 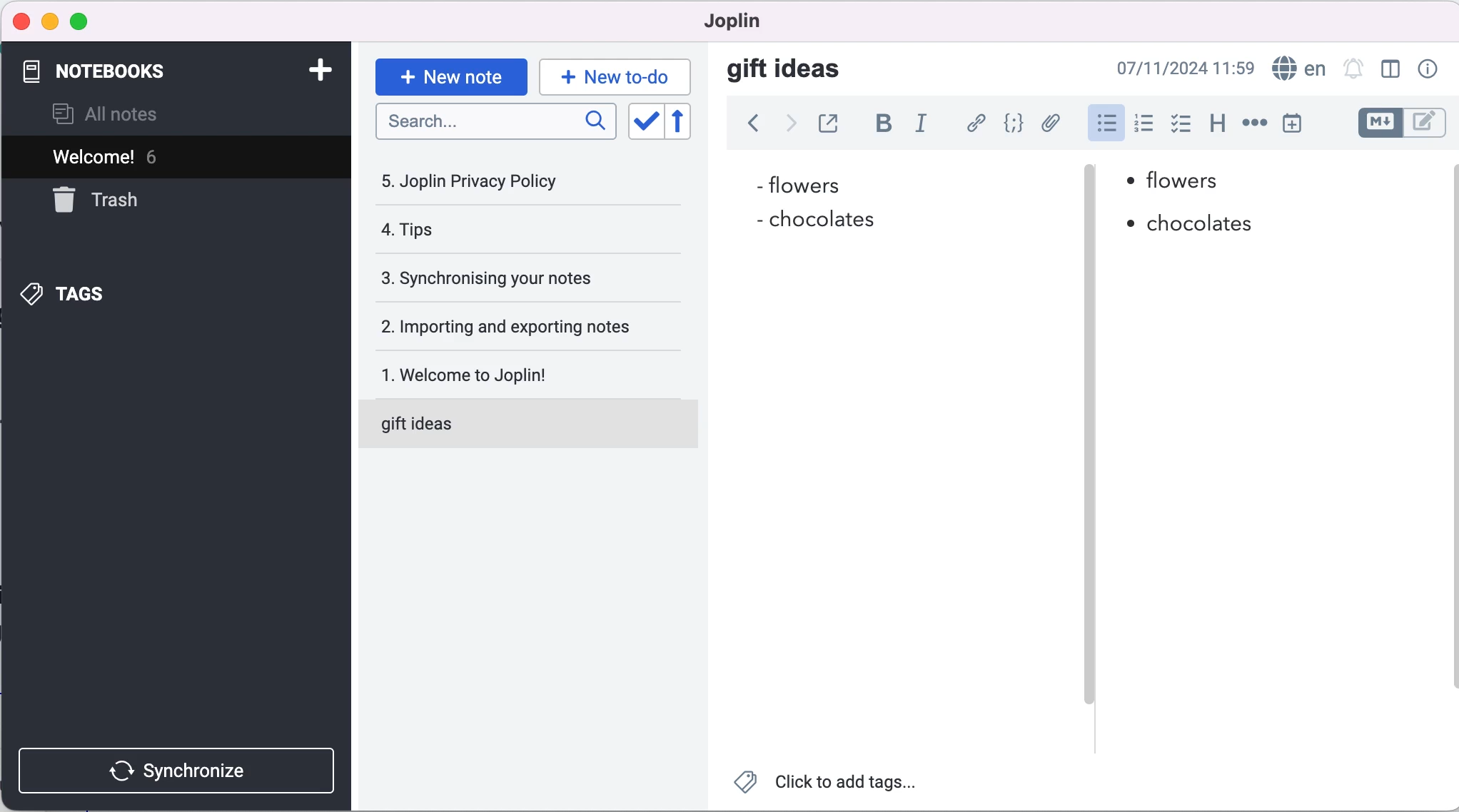 I want to click on toggle editor layout, so click(x=1390, y=70).